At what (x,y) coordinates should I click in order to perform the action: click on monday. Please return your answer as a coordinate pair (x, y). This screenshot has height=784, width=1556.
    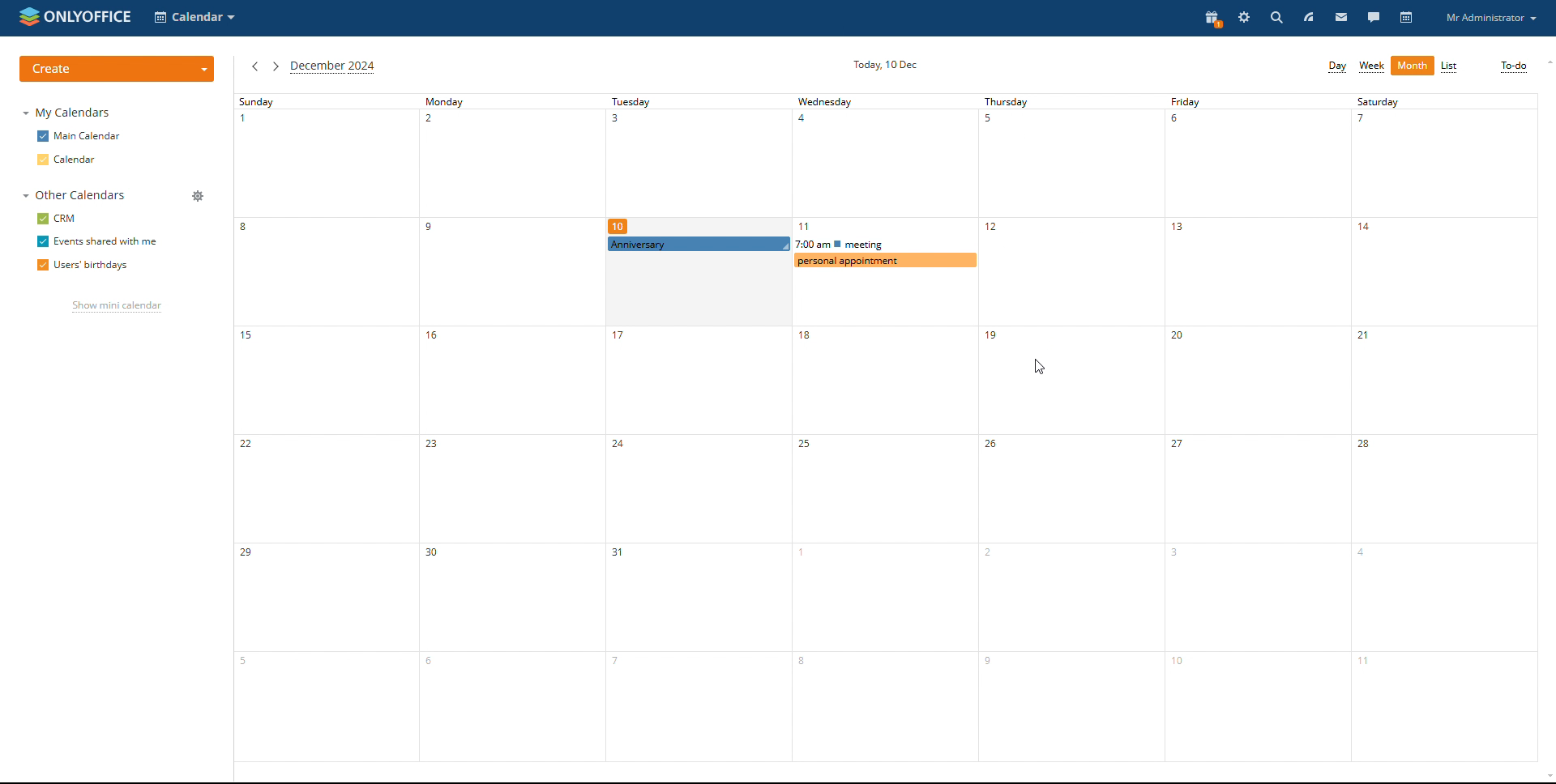
    Looking at the image, I should click on (511, 428).